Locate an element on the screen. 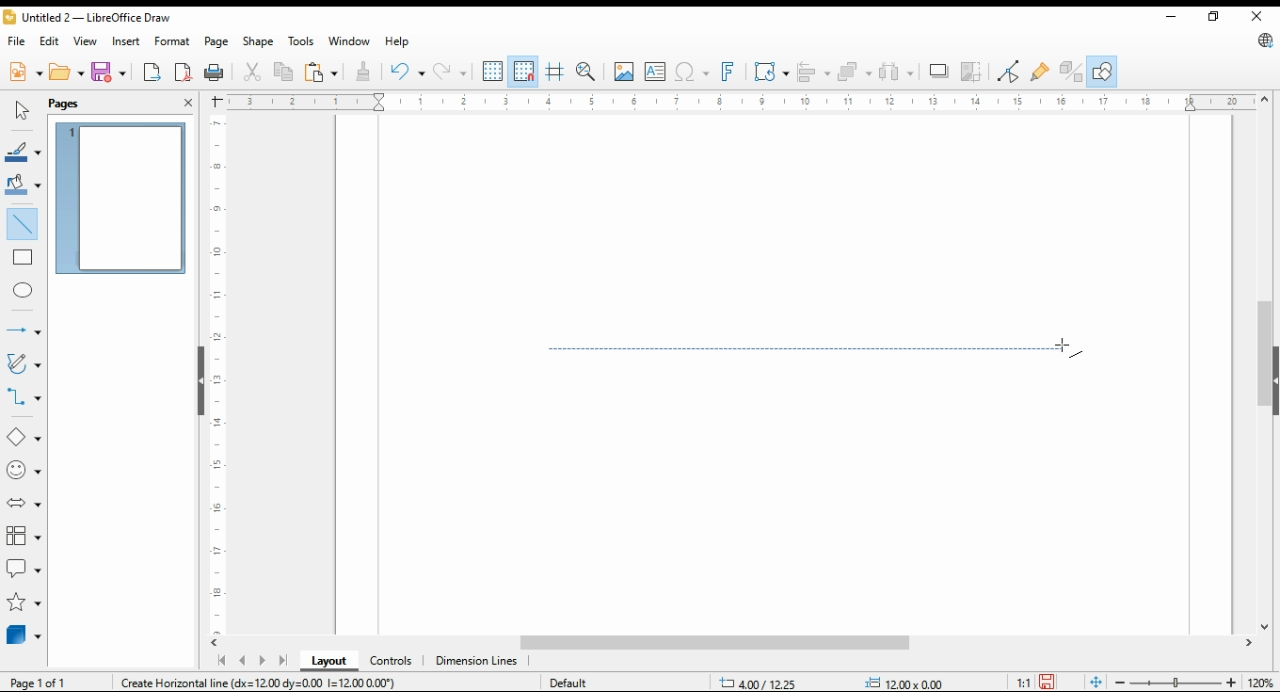 The image size is (1280, 692). show grids is located at coordinates (492, 71).